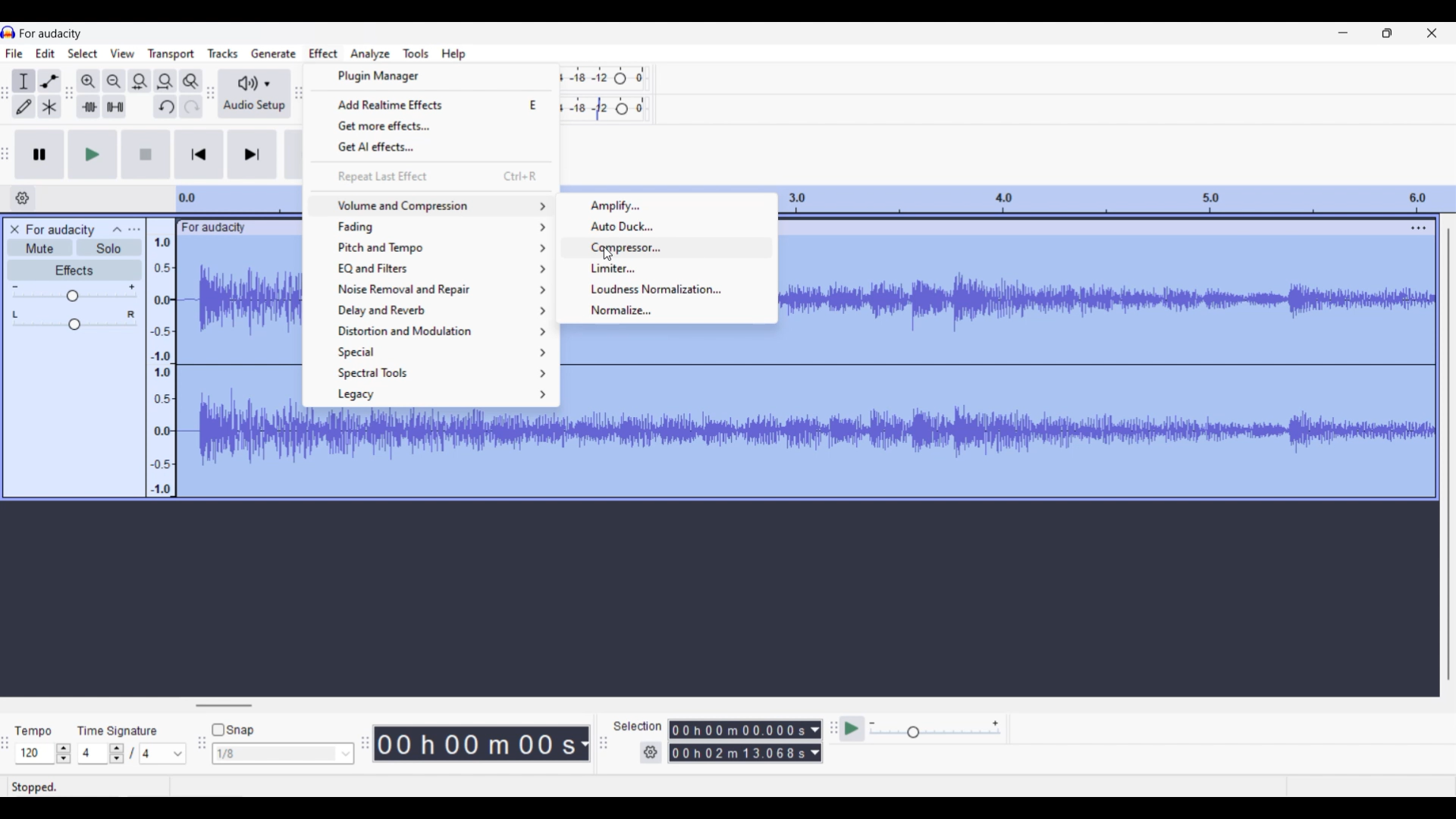  What do you see at coordinates (40, 155) in the screenshot?
I see `Pause` at bounding box center [40, 155].